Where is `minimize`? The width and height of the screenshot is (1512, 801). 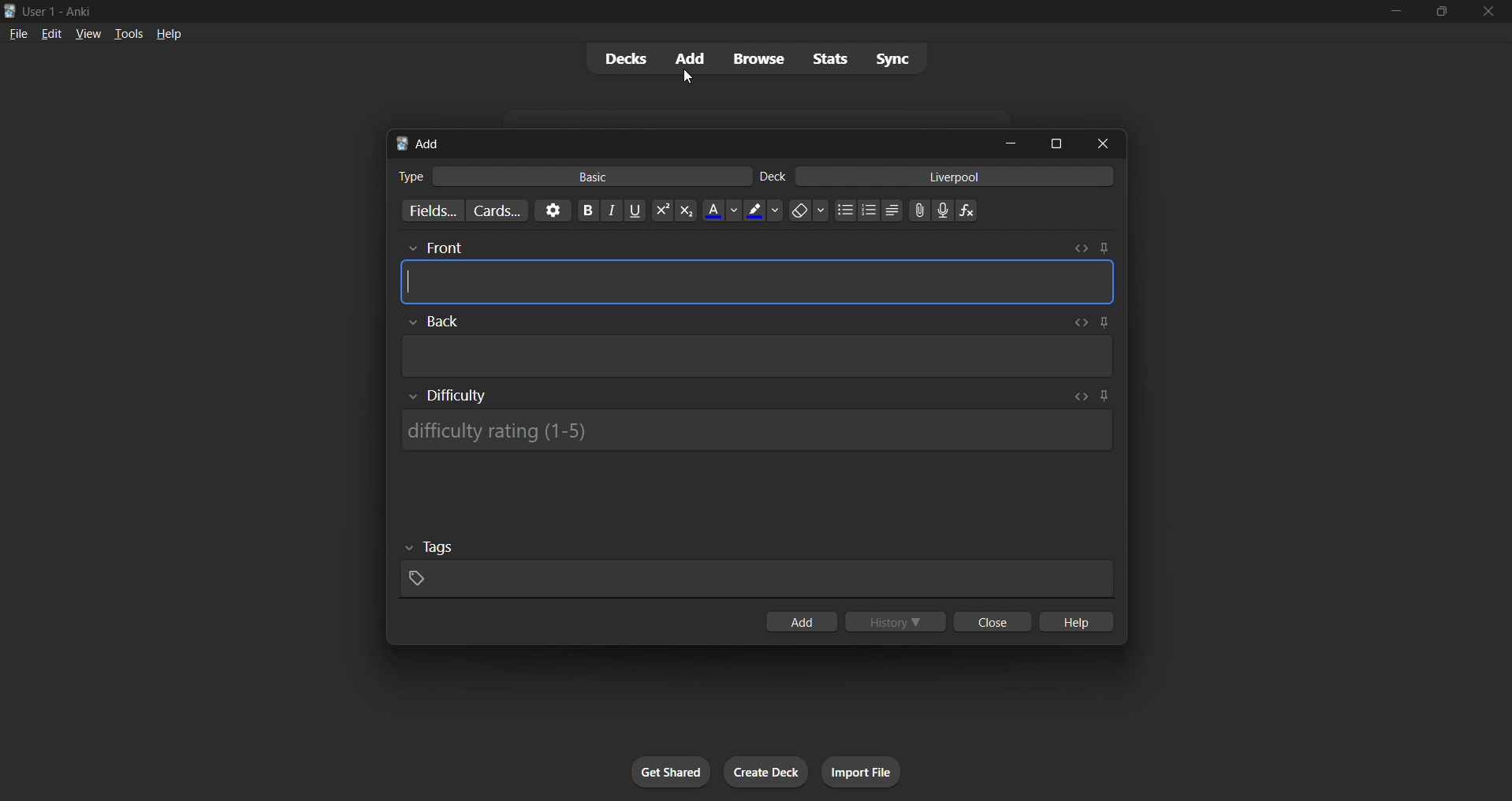 minimize is located at coordinates (1014, 144).